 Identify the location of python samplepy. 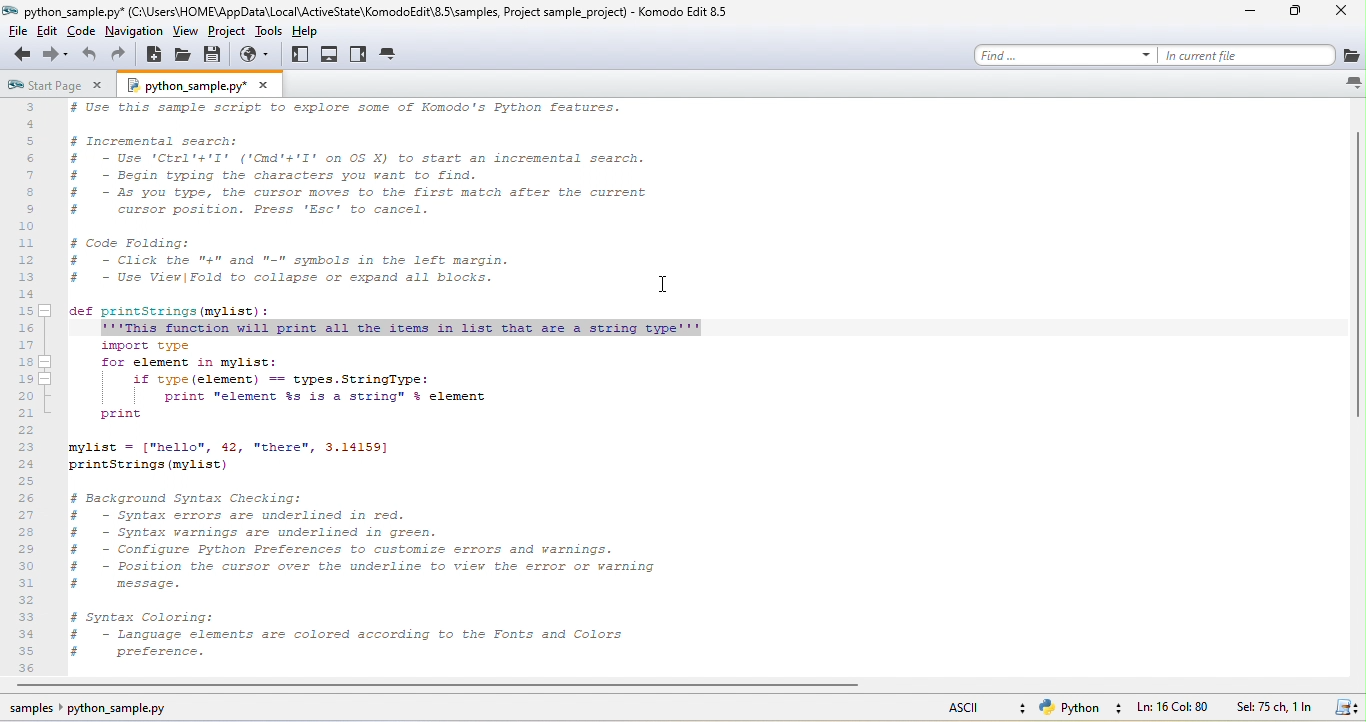
(182, 87).